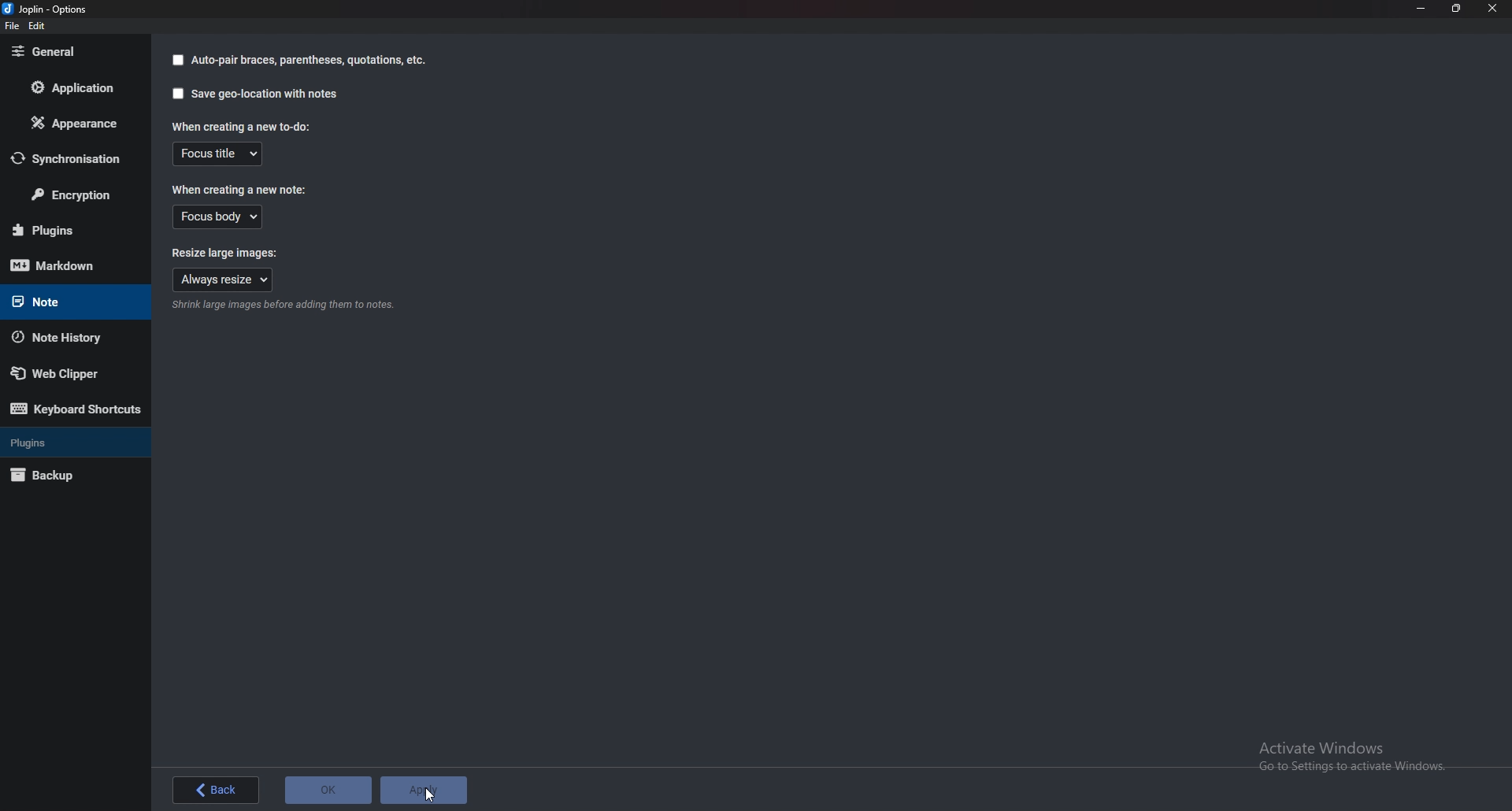 The image size is (1512, 811). Describe the element at coordinates (328, 791) in the screenshot. I see `ok` at that location.